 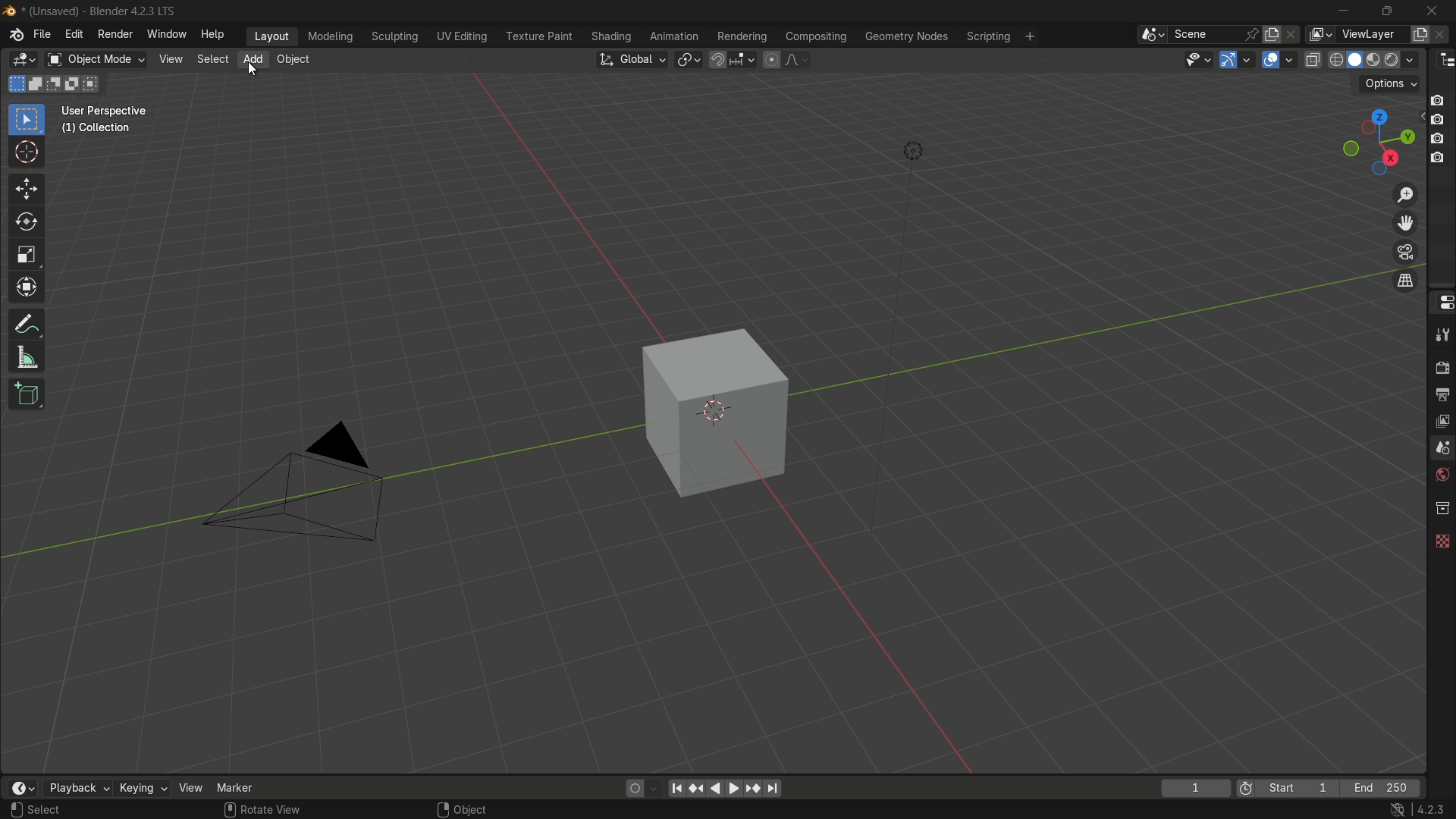 I want to click on select, so click(x=36, y=811).